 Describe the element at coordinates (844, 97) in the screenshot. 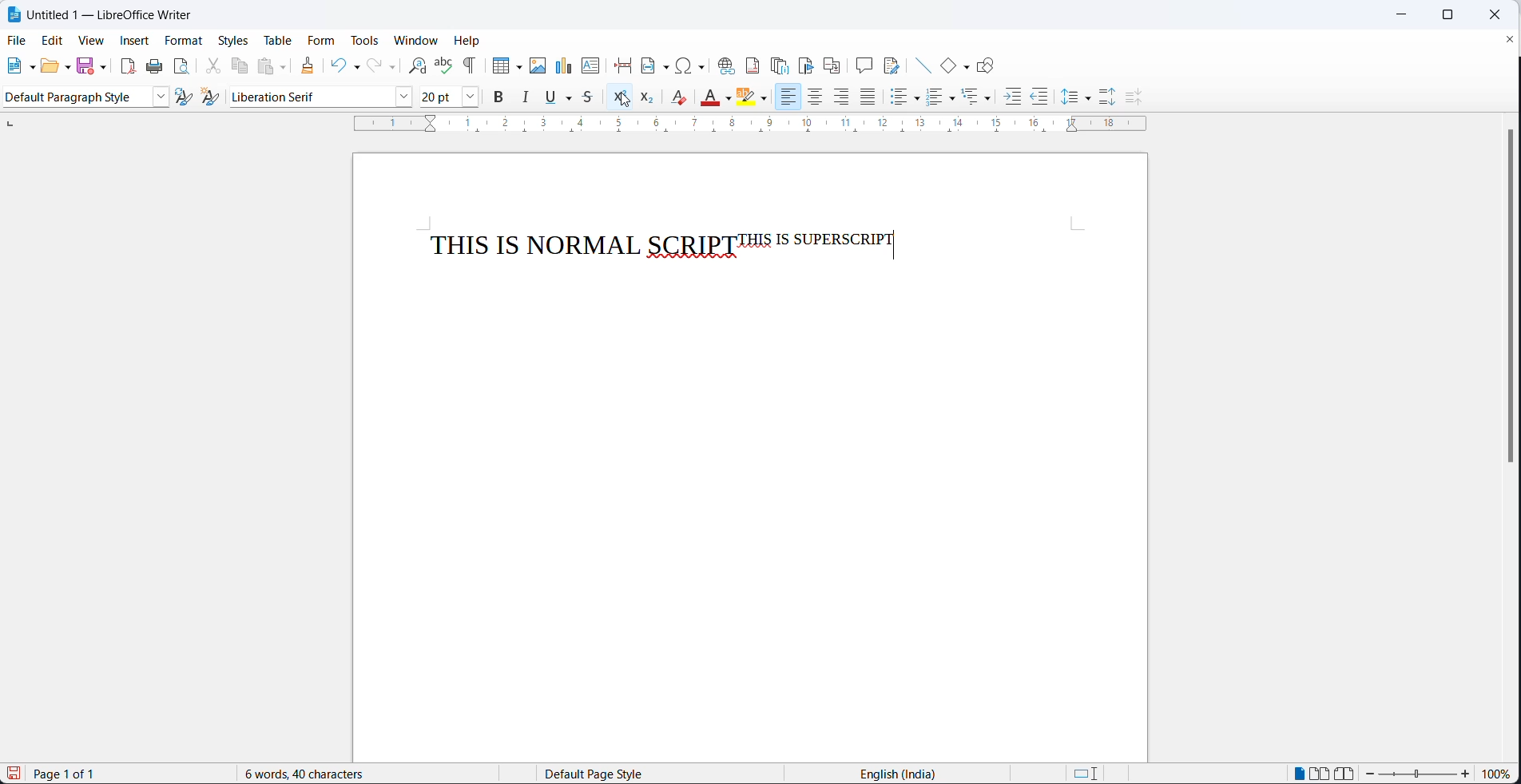

I see `text align right` at that location.